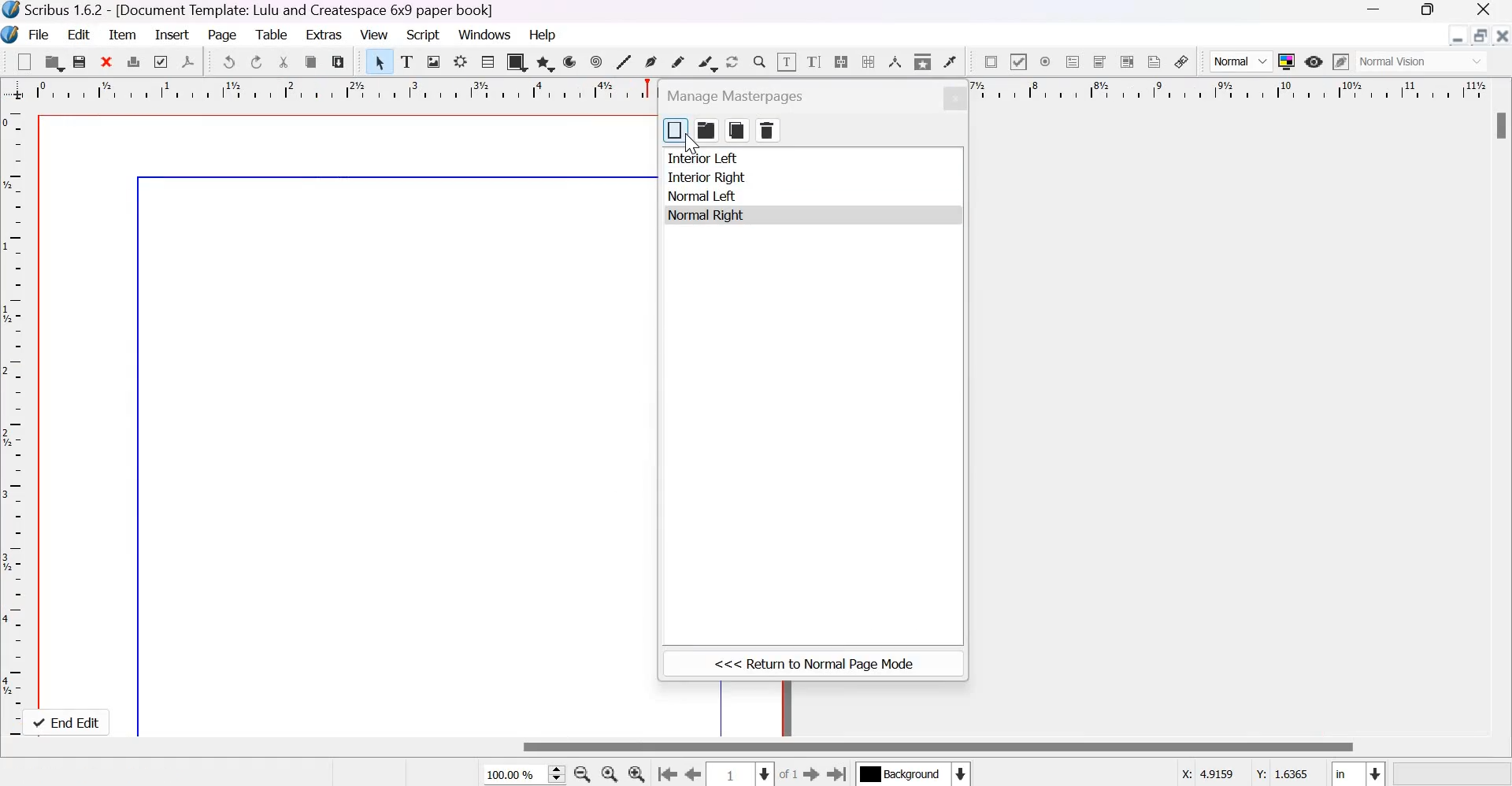 The height and width of the screenshot is (786, 1512). What do you see at coordinates (486, 33) in the screenshot?
I see `Windows` at bounding box center [486, 33].